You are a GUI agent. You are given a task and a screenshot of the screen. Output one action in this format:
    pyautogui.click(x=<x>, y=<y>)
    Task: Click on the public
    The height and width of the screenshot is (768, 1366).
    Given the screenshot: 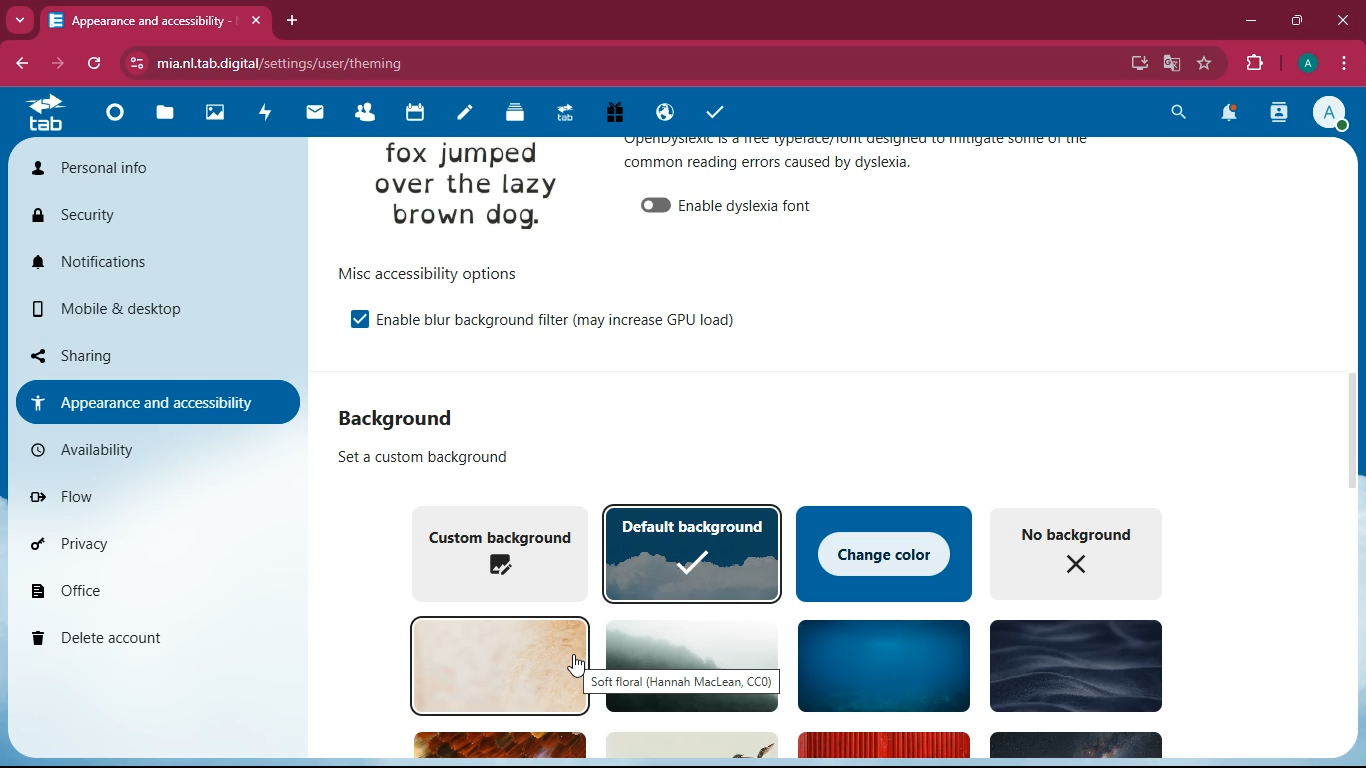 What is the action you would take?
    pyautogui.click(x=663, y=116)
    